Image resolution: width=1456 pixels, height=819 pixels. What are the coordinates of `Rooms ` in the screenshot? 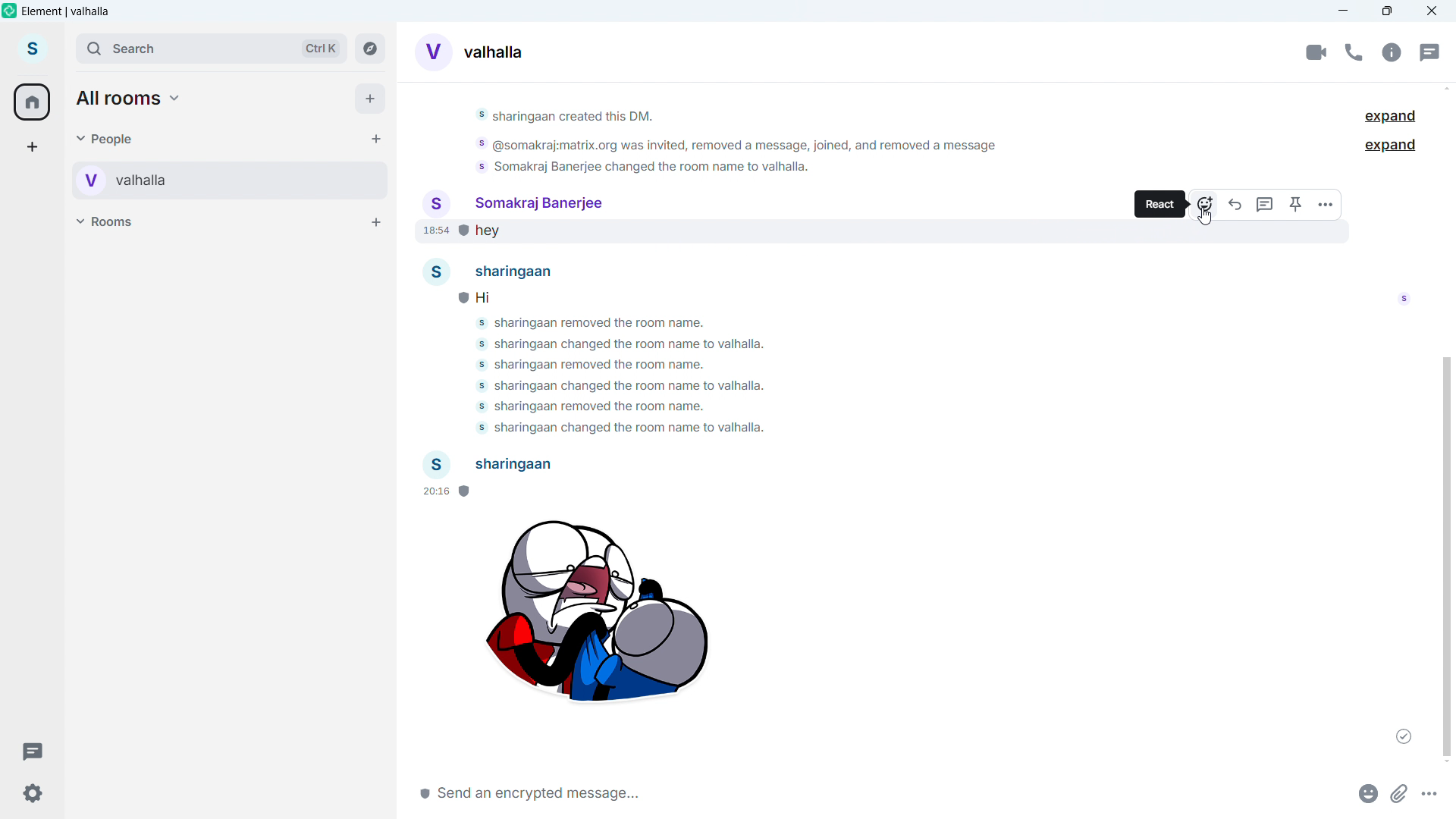 It's located at (108, 221).